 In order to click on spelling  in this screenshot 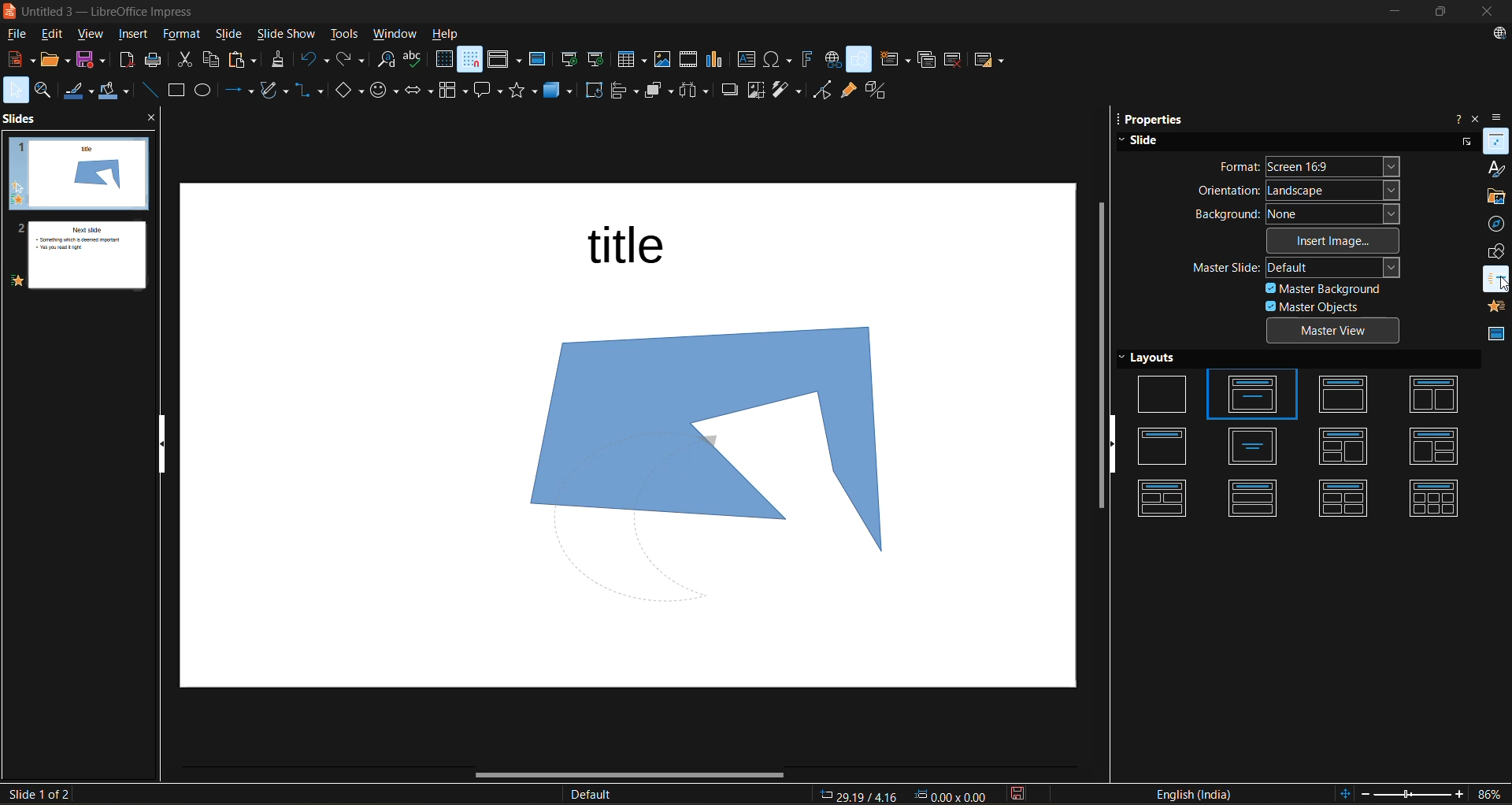, I will do `click(418, 58)`.